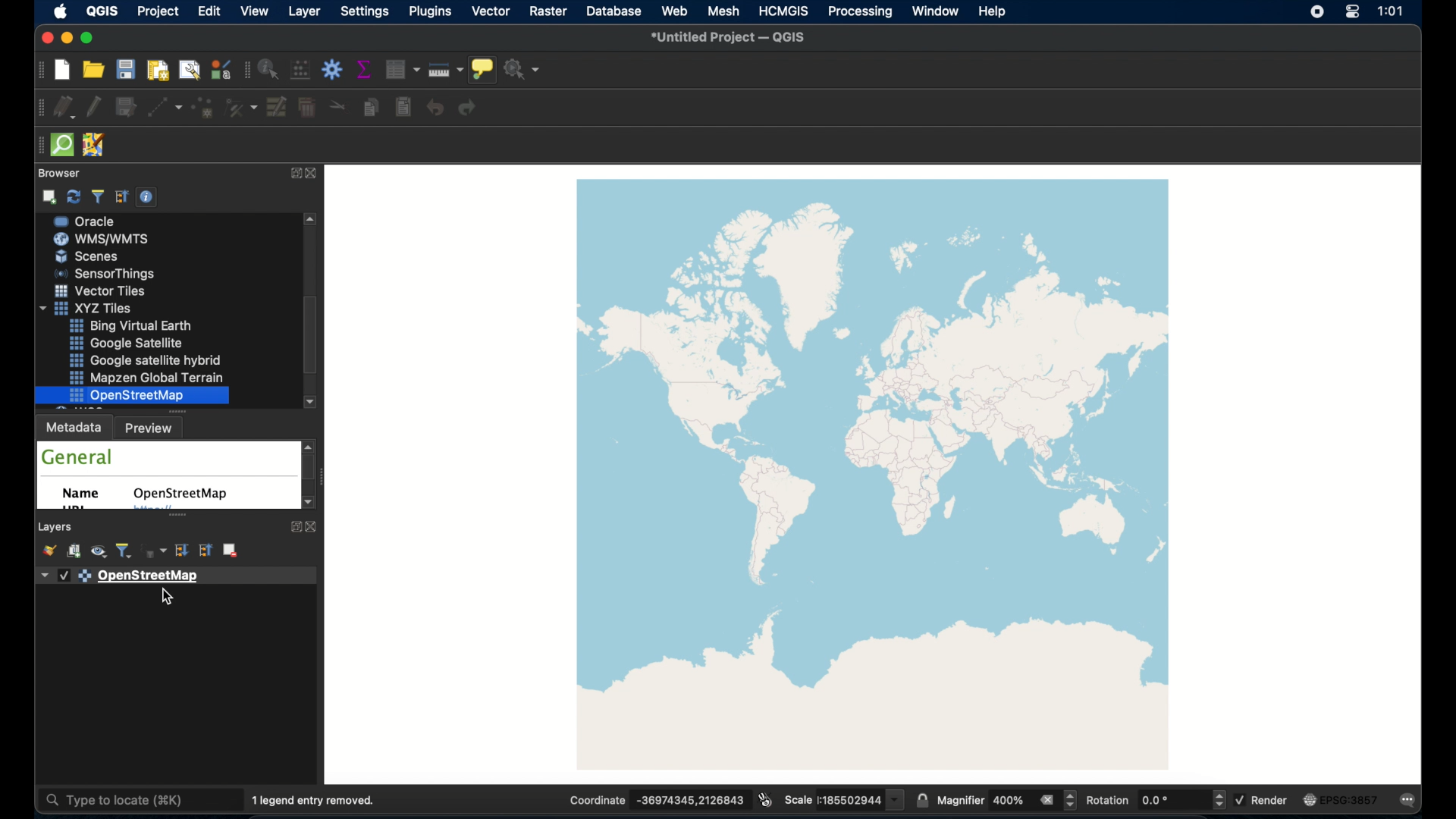  I want to click on maximize, so click(89, 39).